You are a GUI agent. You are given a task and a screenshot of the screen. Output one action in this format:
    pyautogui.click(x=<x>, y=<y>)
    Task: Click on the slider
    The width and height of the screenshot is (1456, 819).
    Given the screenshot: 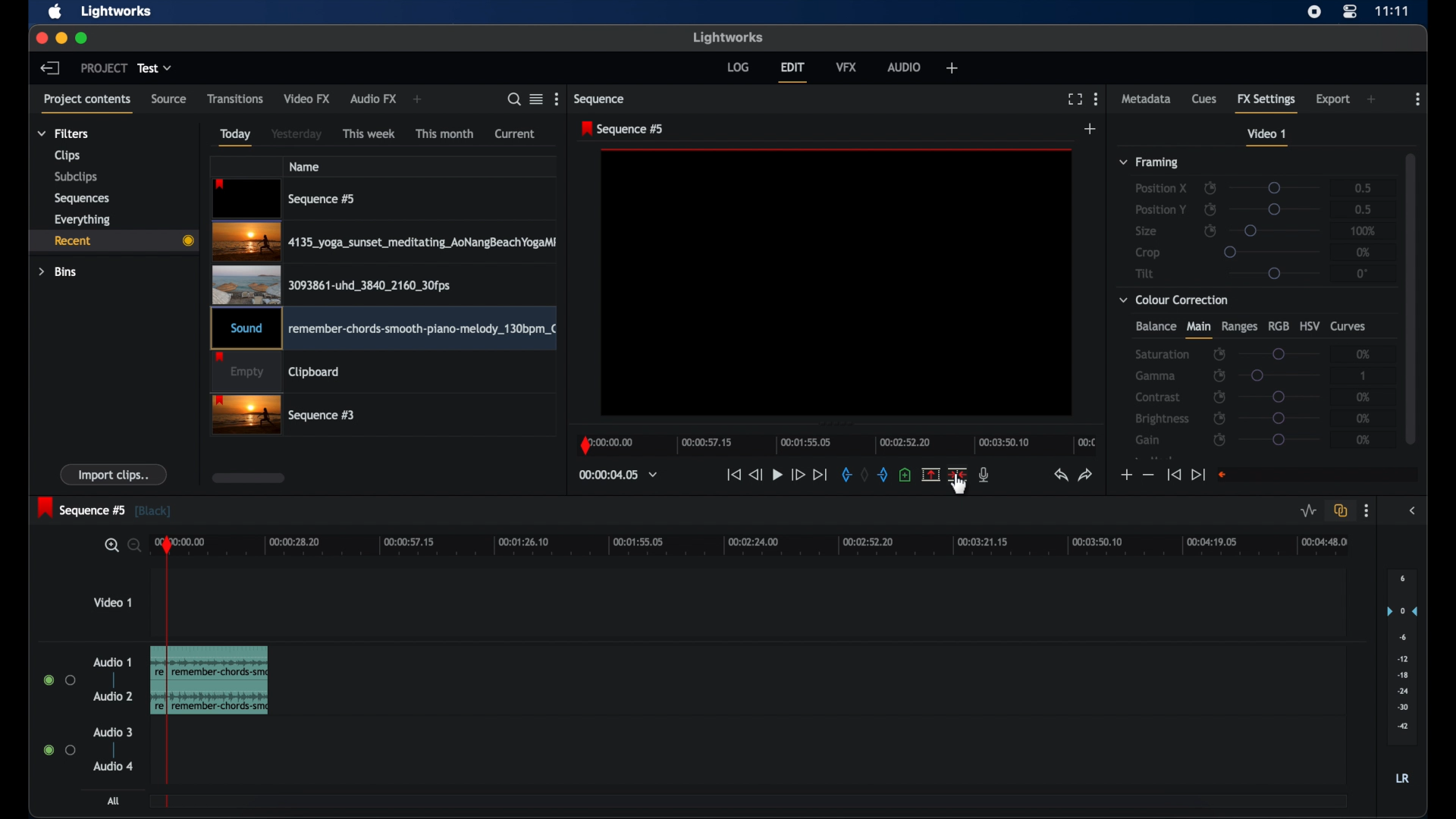 What is the action you would take?
    pyautogui.click(x=1278, y=209)
    